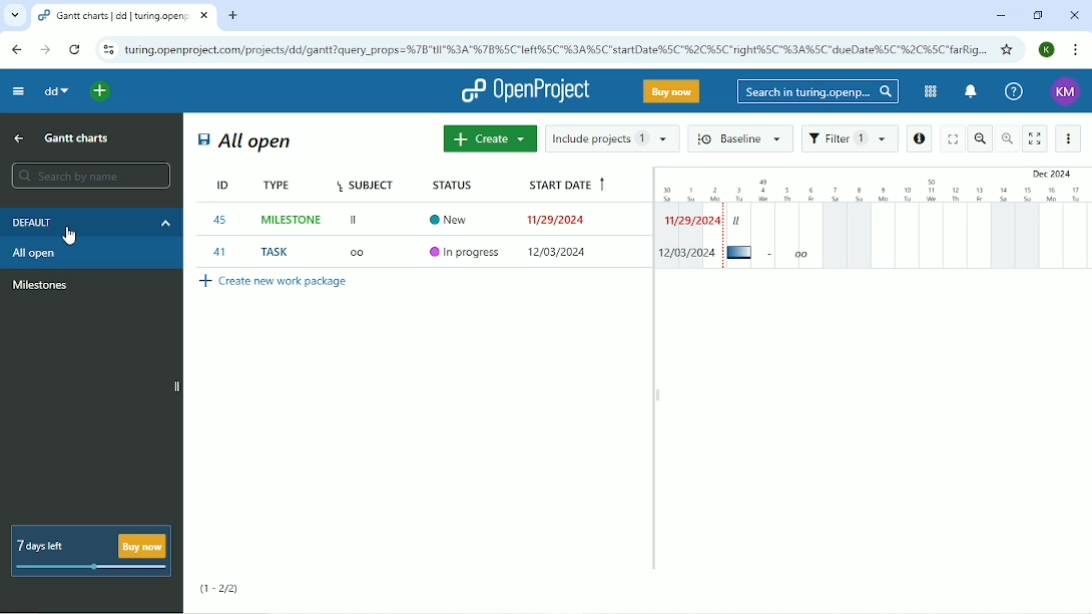 The width and height of the screenshot is (1092, 614). I want to click on Minimize, so click(1001, 16).